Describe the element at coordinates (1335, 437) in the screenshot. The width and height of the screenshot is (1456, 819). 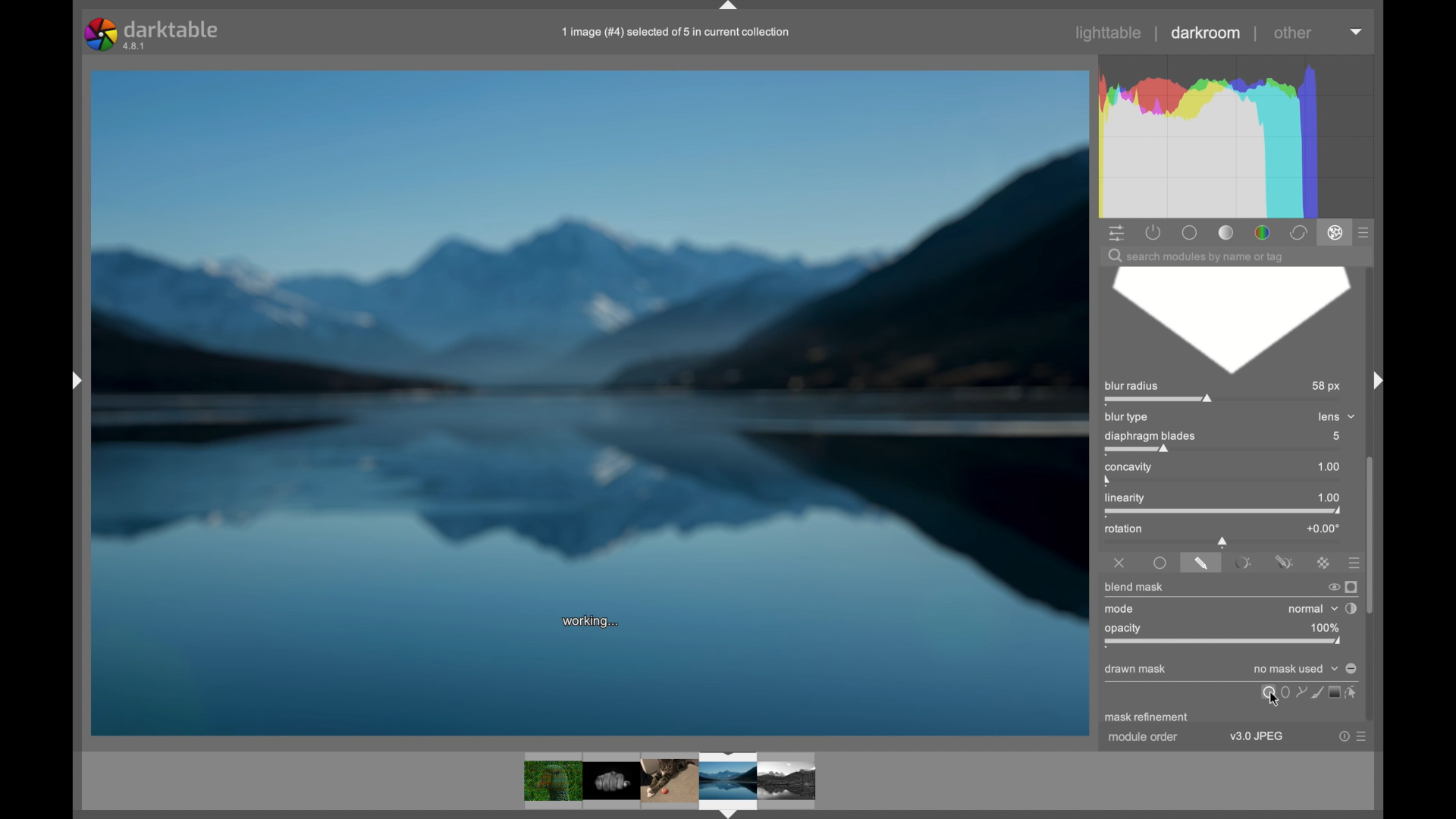
I see `5` at that location.